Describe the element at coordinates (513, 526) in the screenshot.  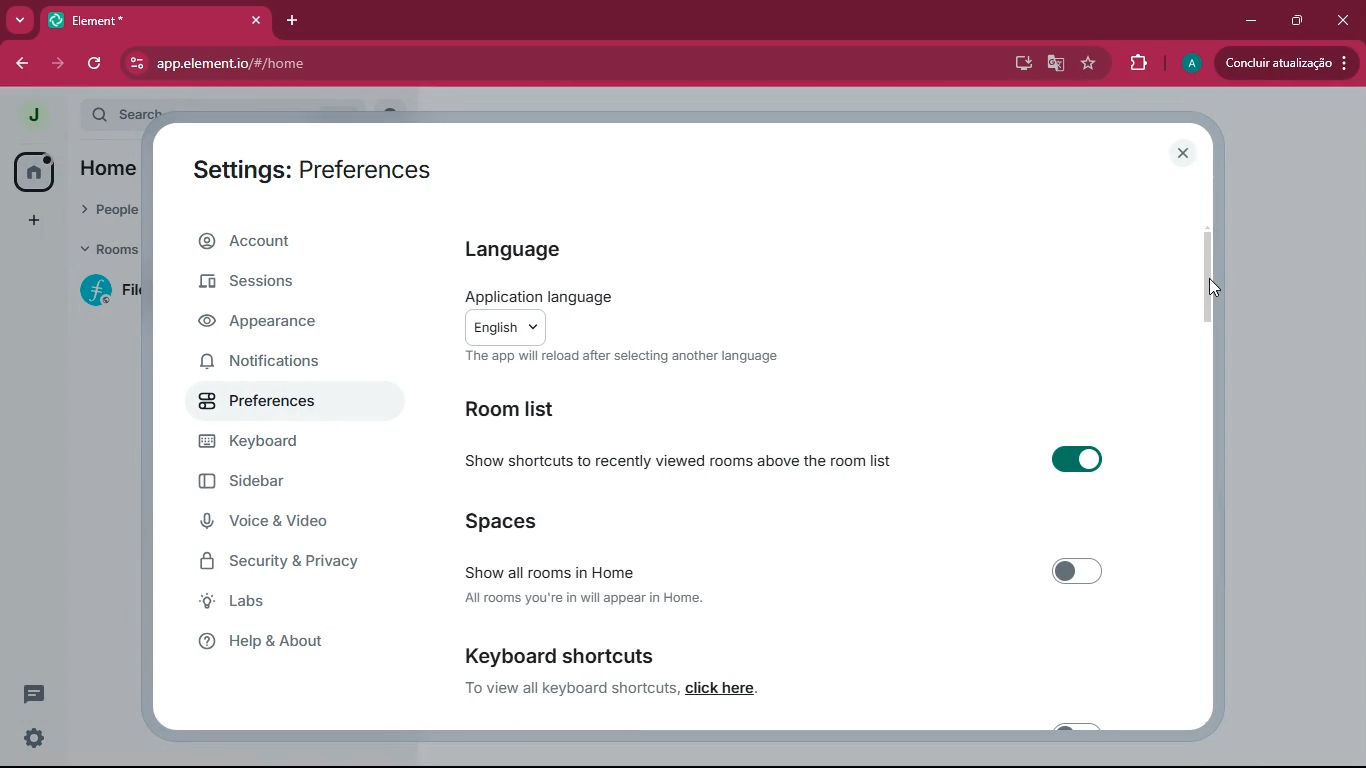
I see `spaces` at that location.